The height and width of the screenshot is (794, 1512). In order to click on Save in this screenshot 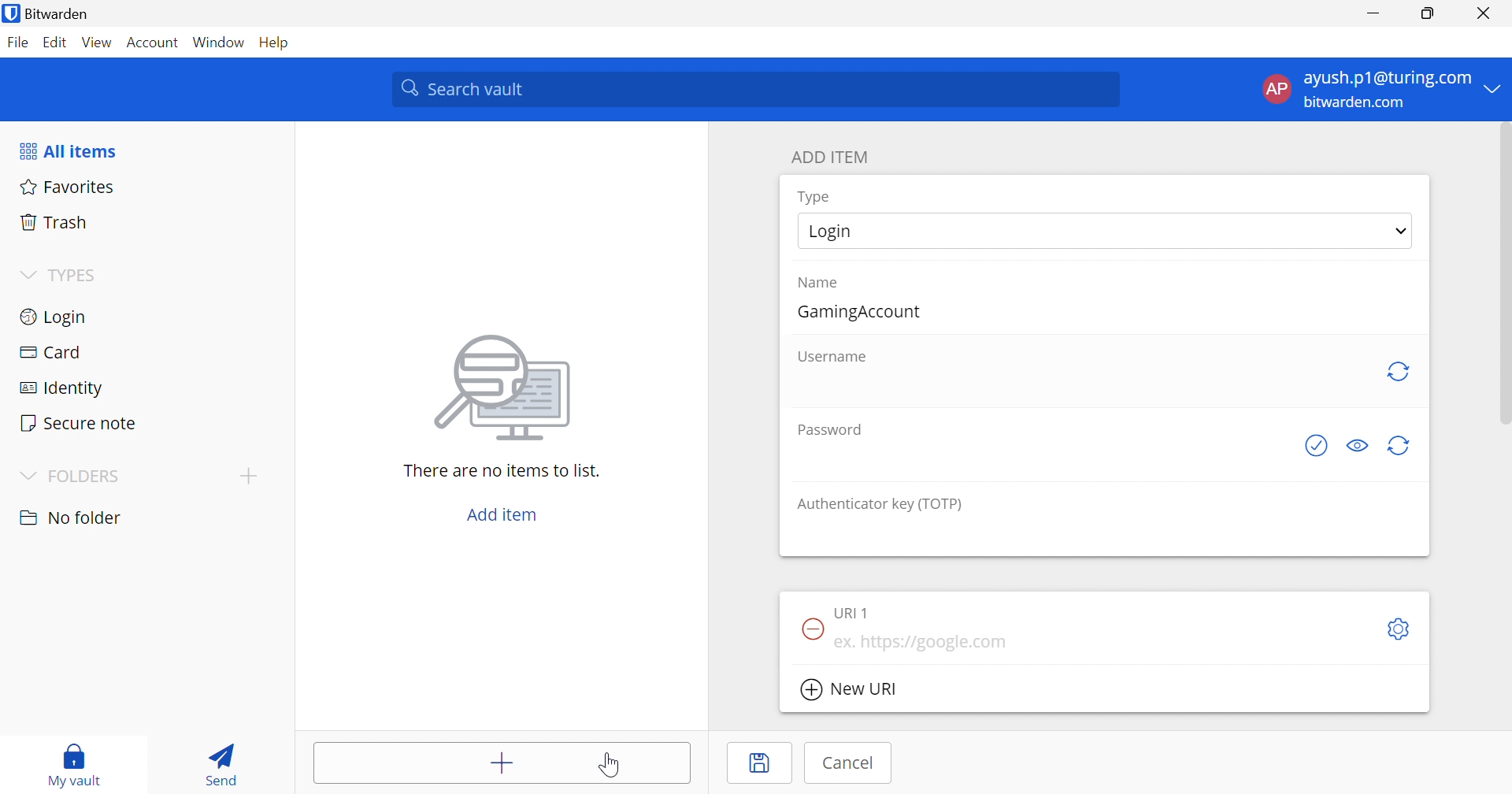, I will do `click(762, 763)`.